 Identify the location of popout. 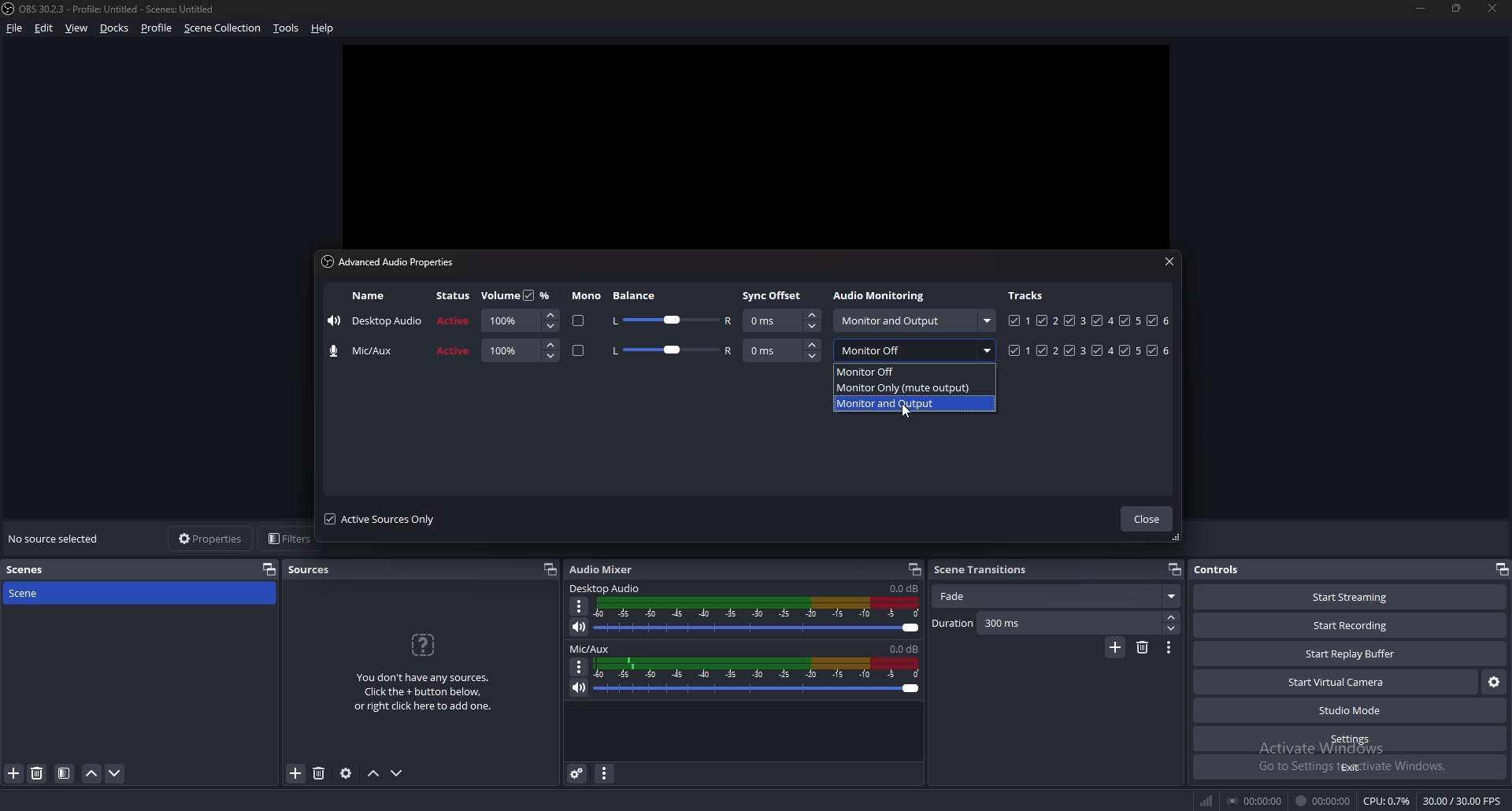
(1174, 568).